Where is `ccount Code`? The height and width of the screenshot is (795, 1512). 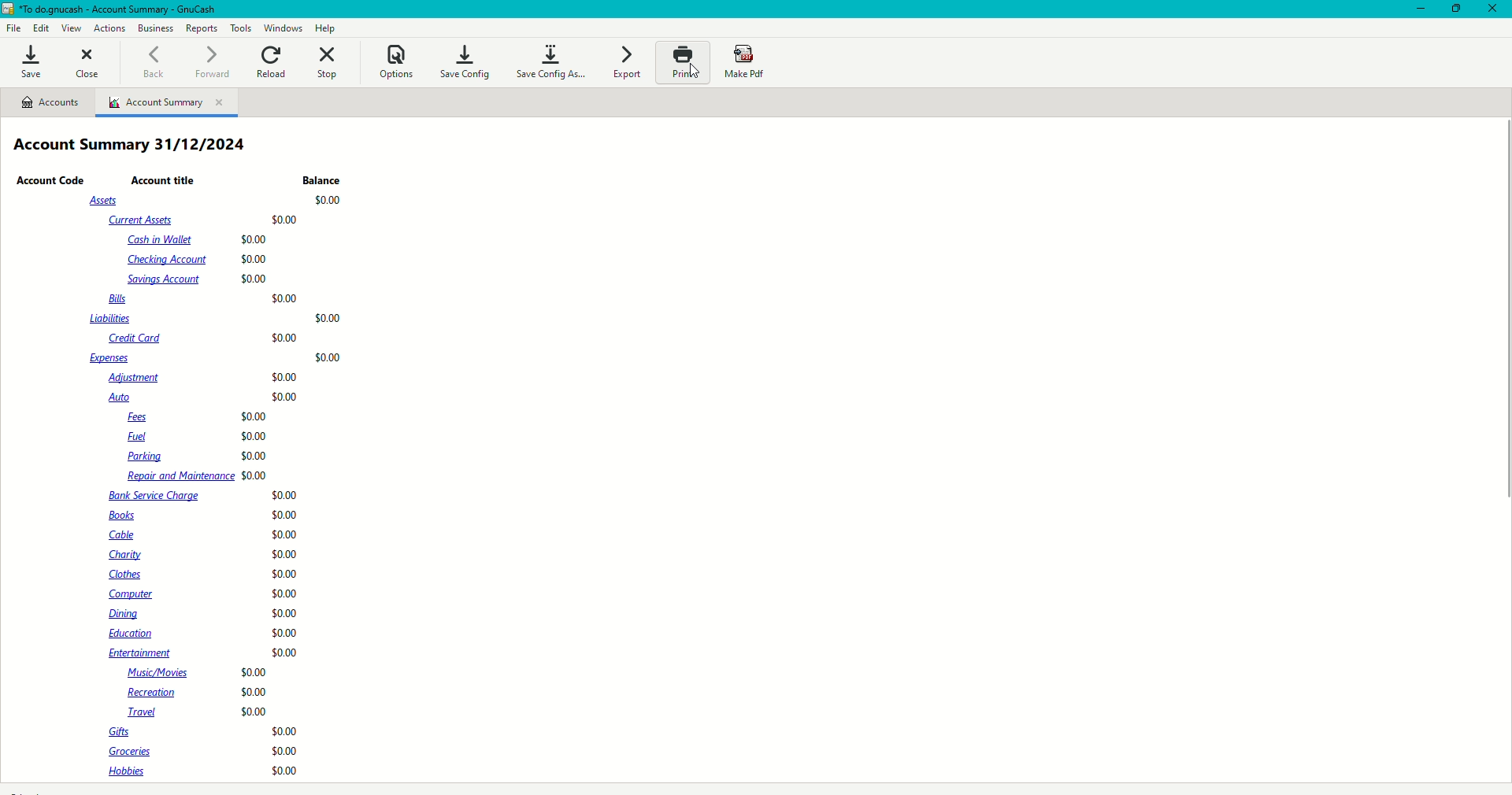 ccount Code is located at coordinates (51, 181).